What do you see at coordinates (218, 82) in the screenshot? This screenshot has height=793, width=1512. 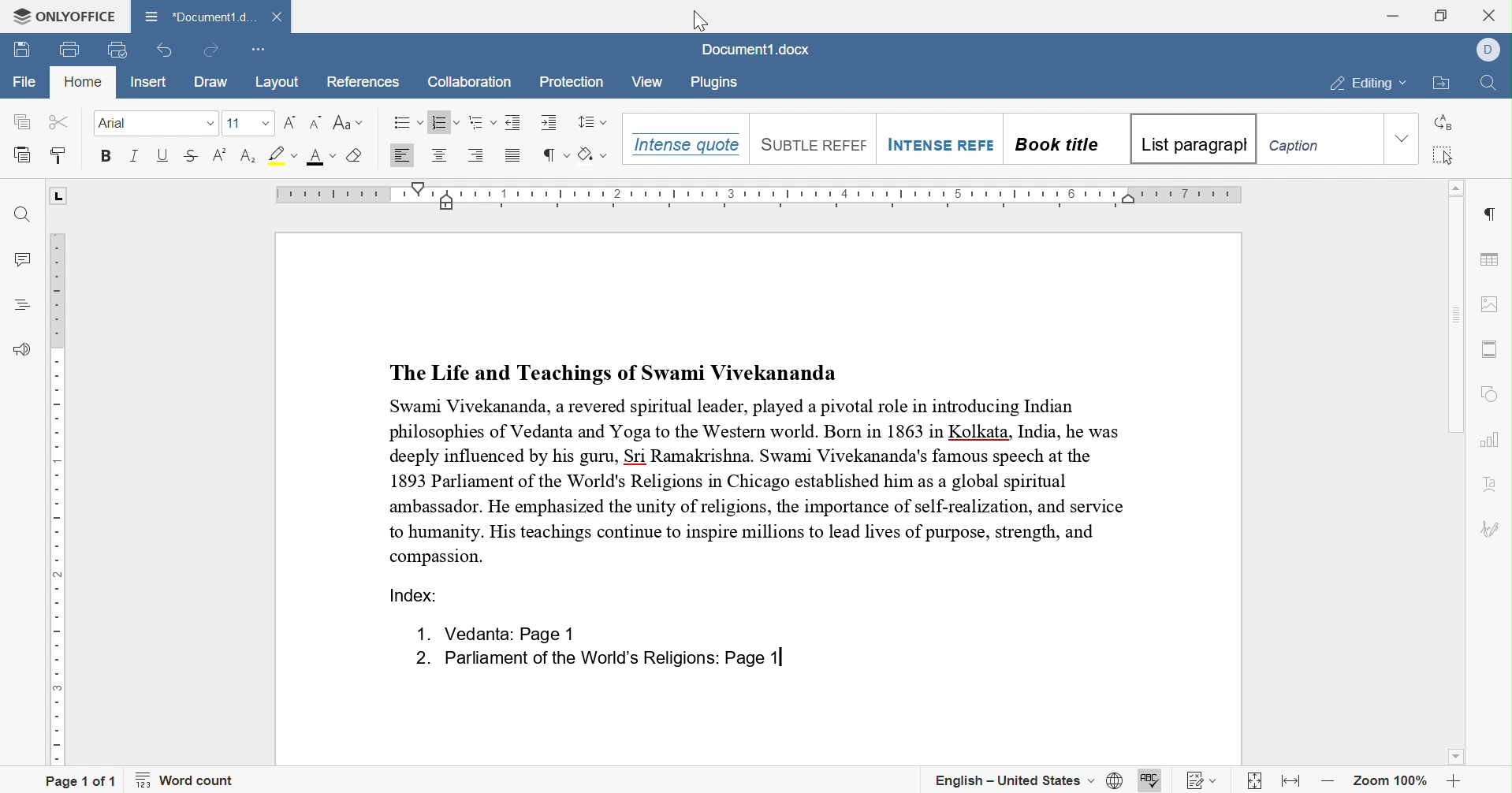 I see `draw` at bounding box center [218, 82].